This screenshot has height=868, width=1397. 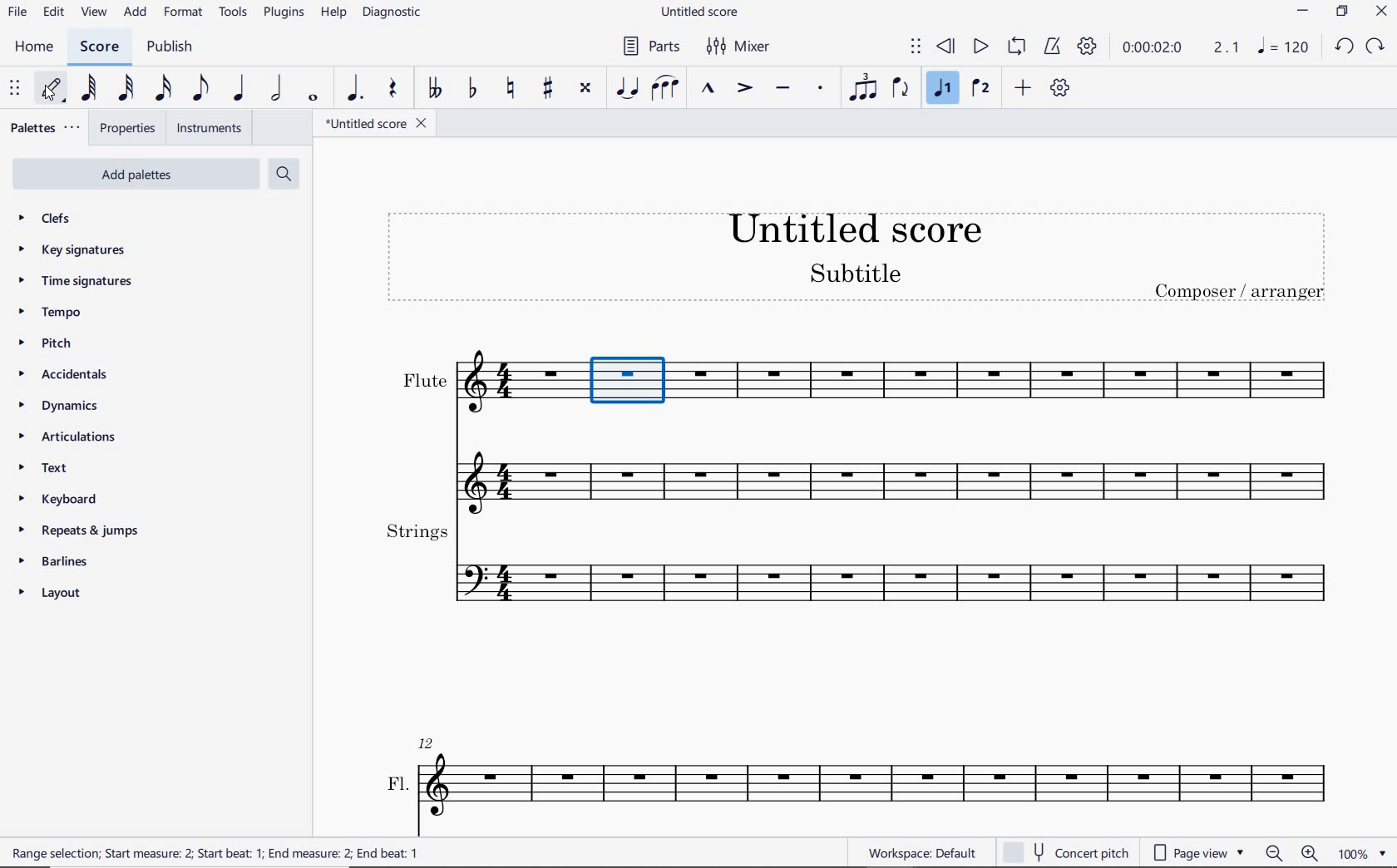 I want to click on STACCATO, so click(x=822, y=89).